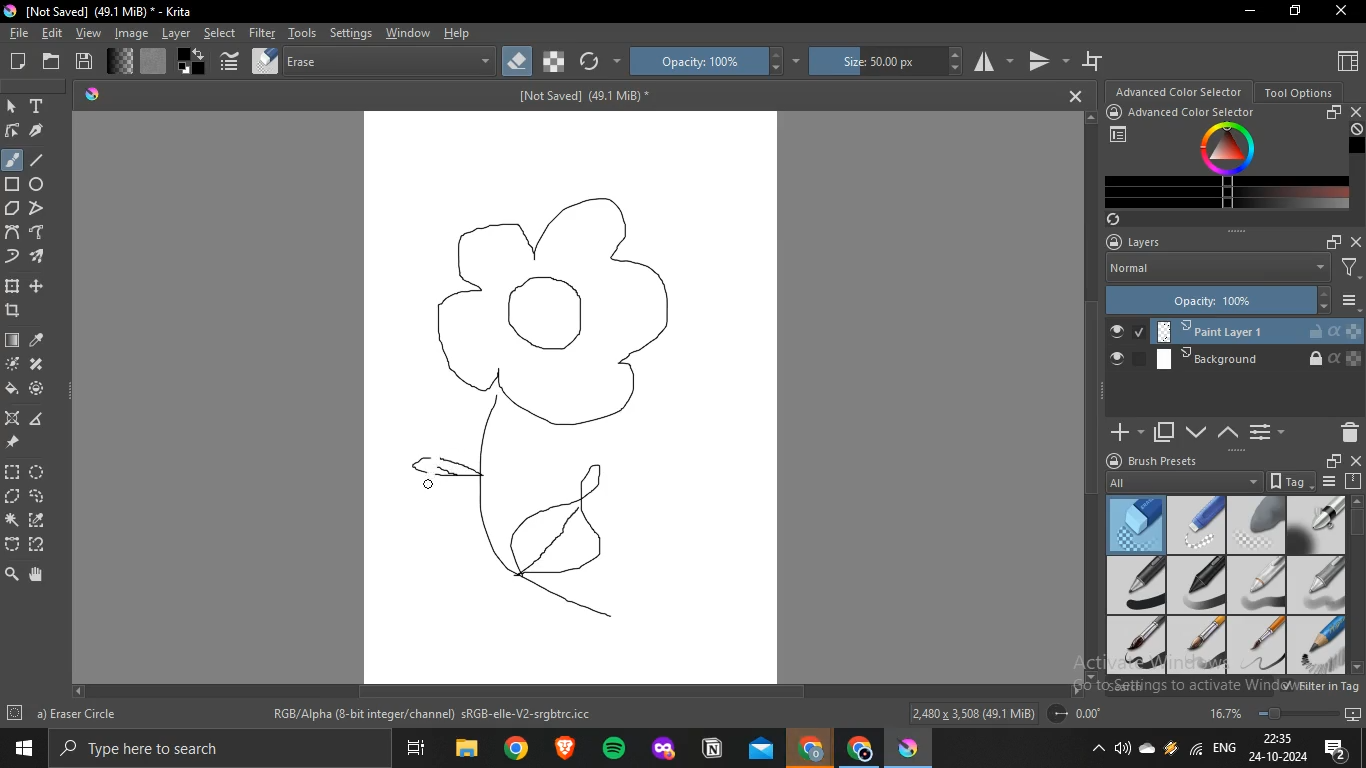  Describe the element at coordinates (1317, 584) in the screenshot. I see `basic 4 opacity` at that location.